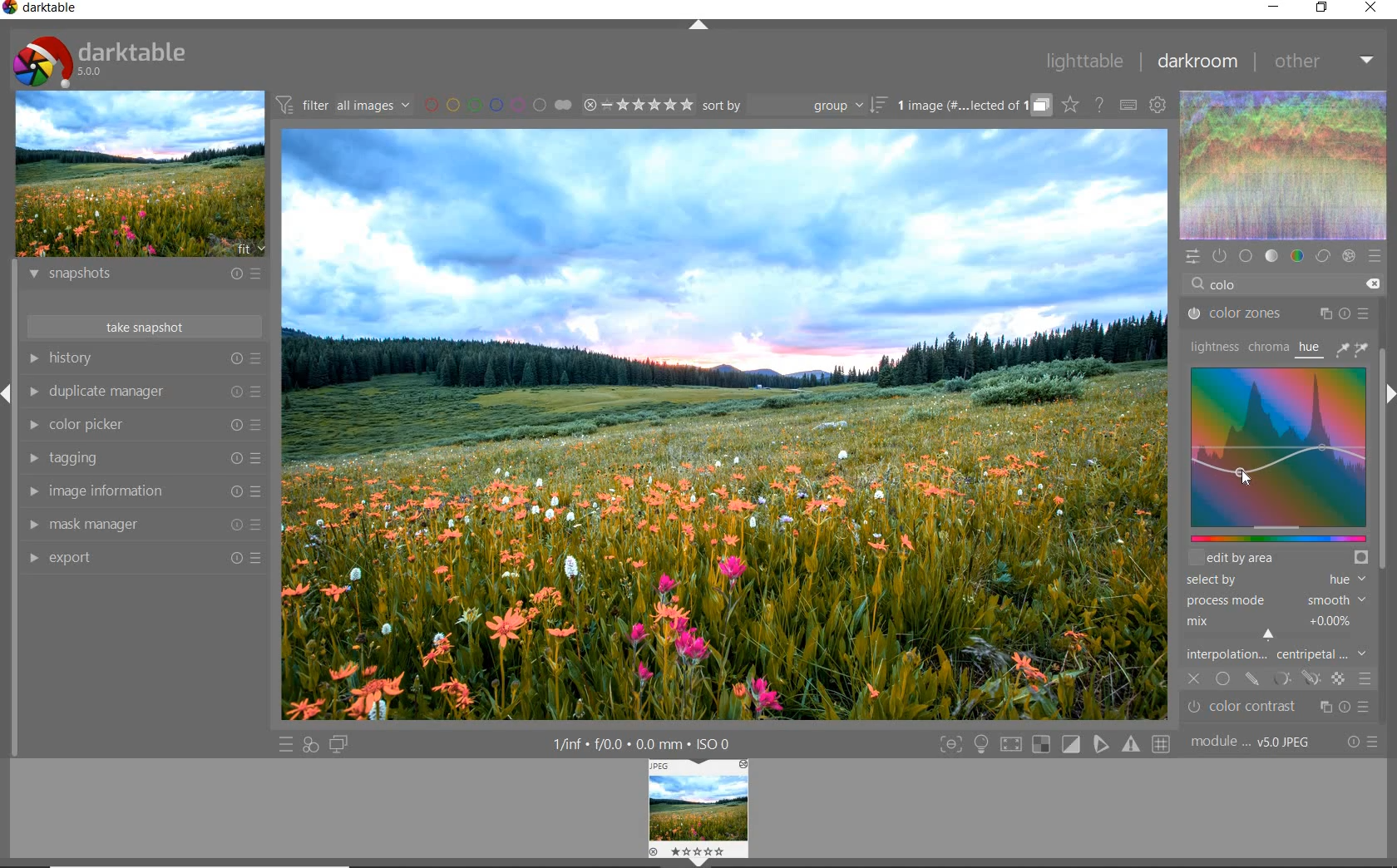 This screenshot has width=1397, height=868. Describe the element at coordinates (1255, 742) in the screenshot. I see `module..v50JPEG` at that location.